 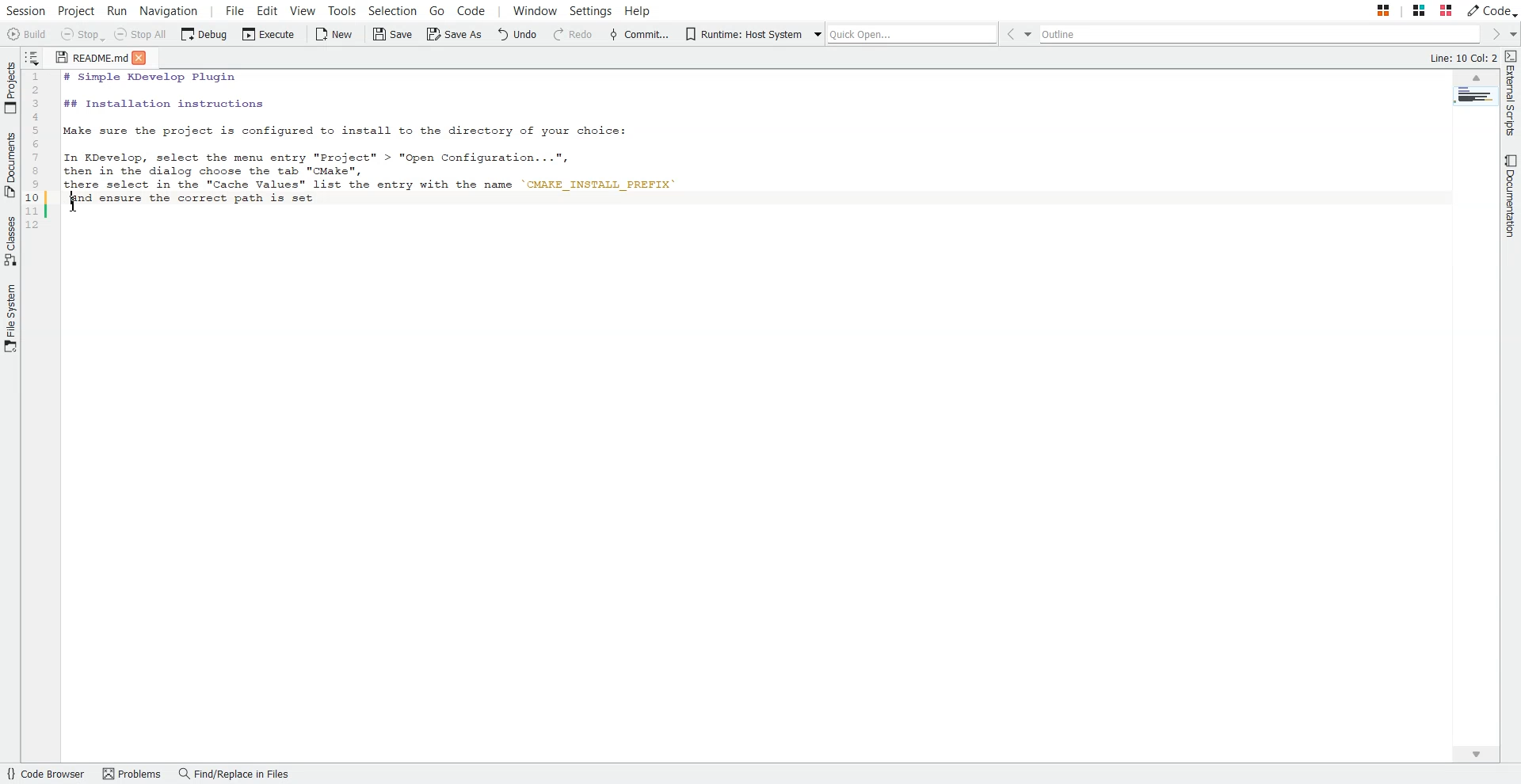 I want to click on File, so click(x=235, y=10).